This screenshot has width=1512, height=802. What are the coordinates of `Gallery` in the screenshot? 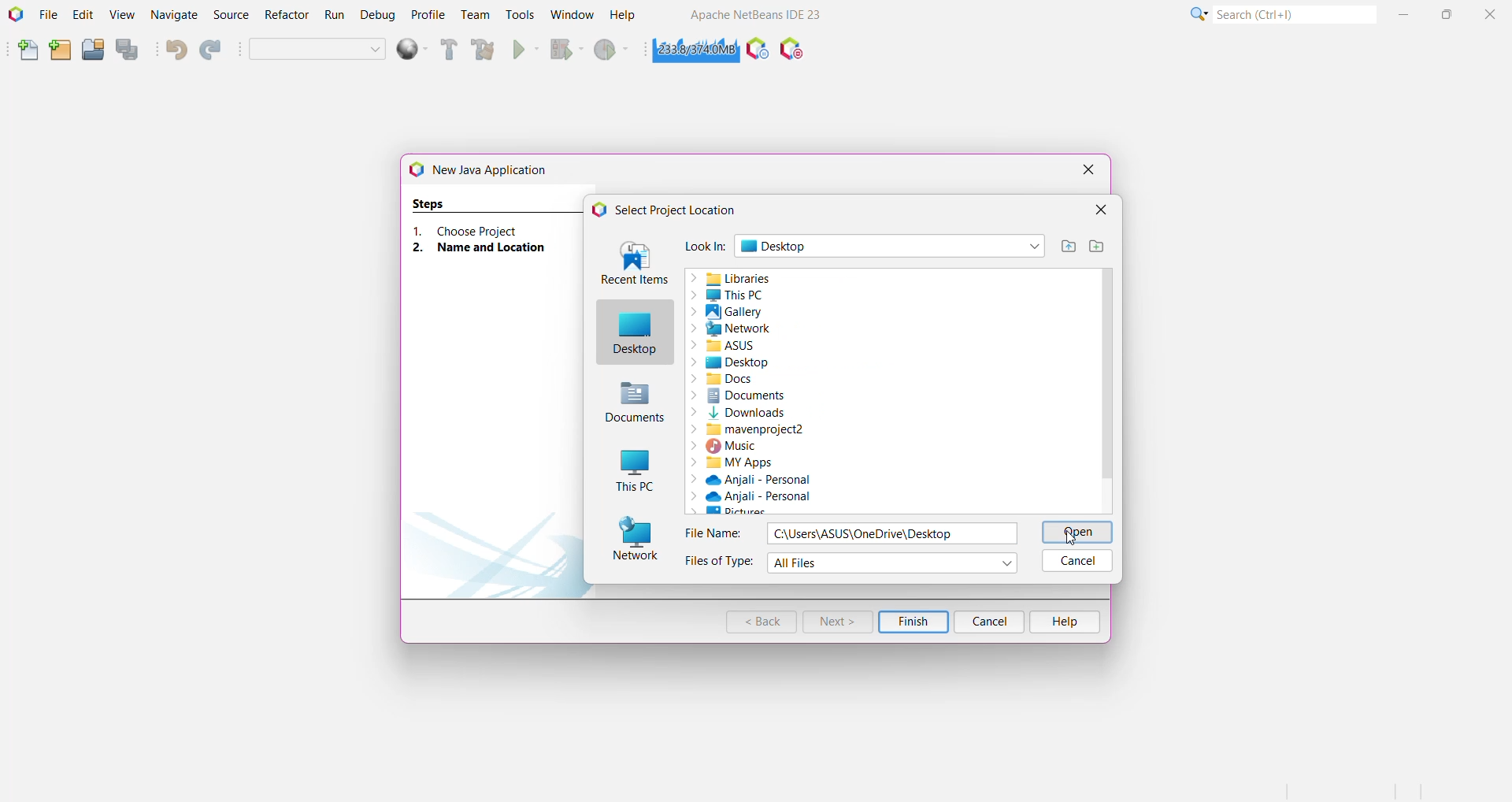 It's located at (770, 313).